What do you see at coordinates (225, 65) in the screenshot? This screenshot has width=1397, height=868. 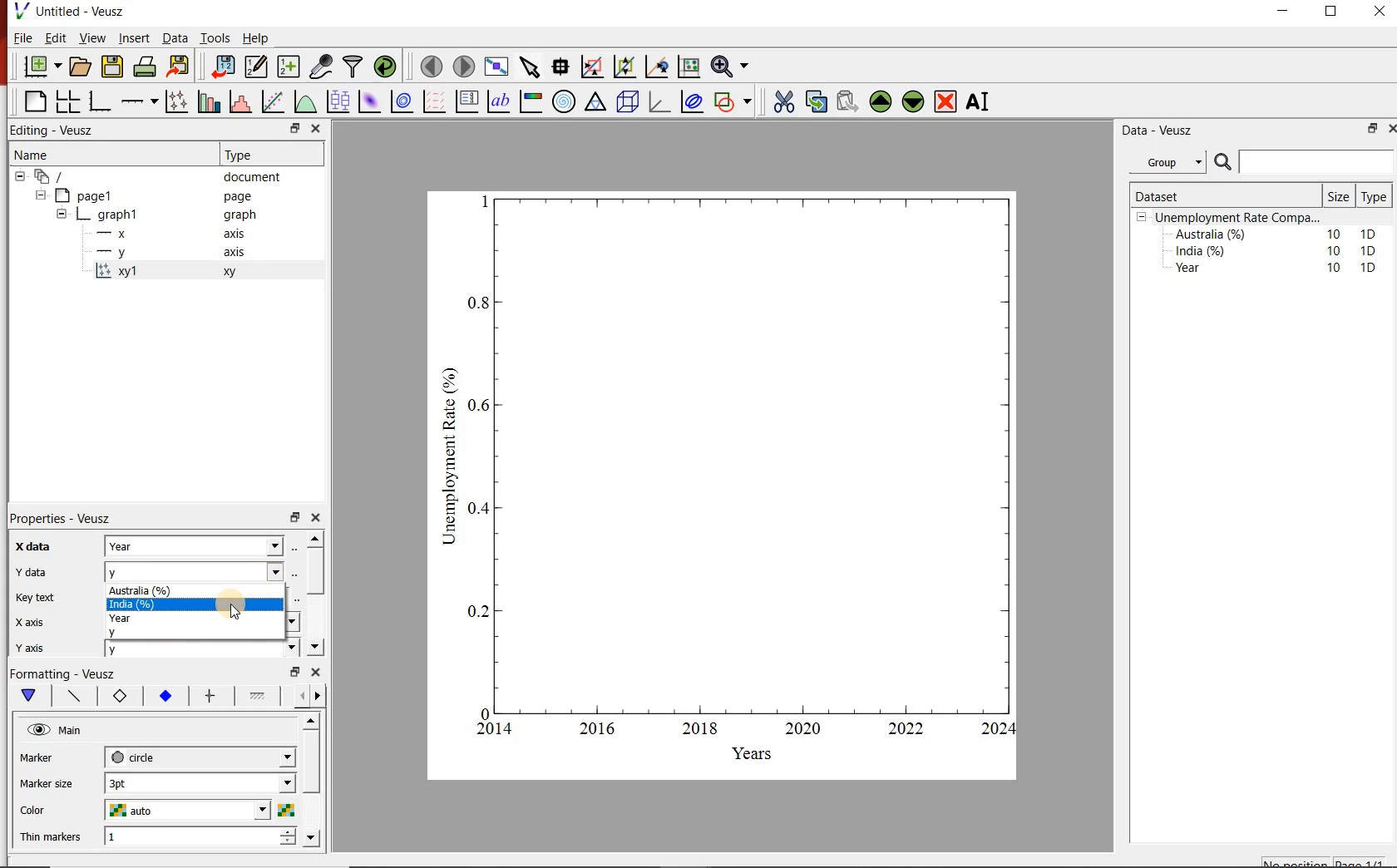 I see `import document` at bounding box center [225, 65].